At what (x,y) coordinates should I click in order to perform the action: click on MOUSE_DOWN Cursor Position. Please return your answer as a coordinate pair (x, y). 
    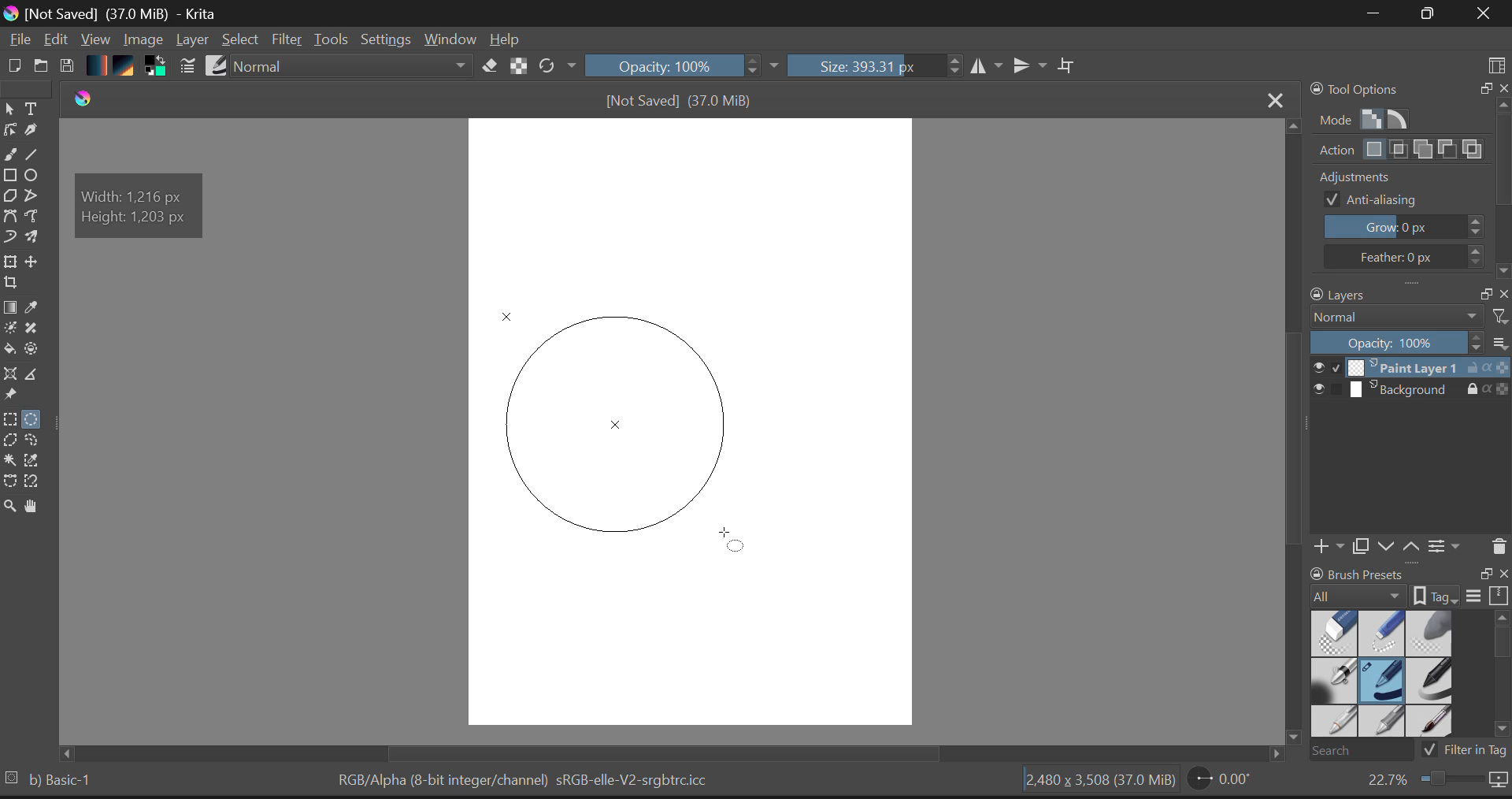
    Looking at the image, I should click on (516, 329).